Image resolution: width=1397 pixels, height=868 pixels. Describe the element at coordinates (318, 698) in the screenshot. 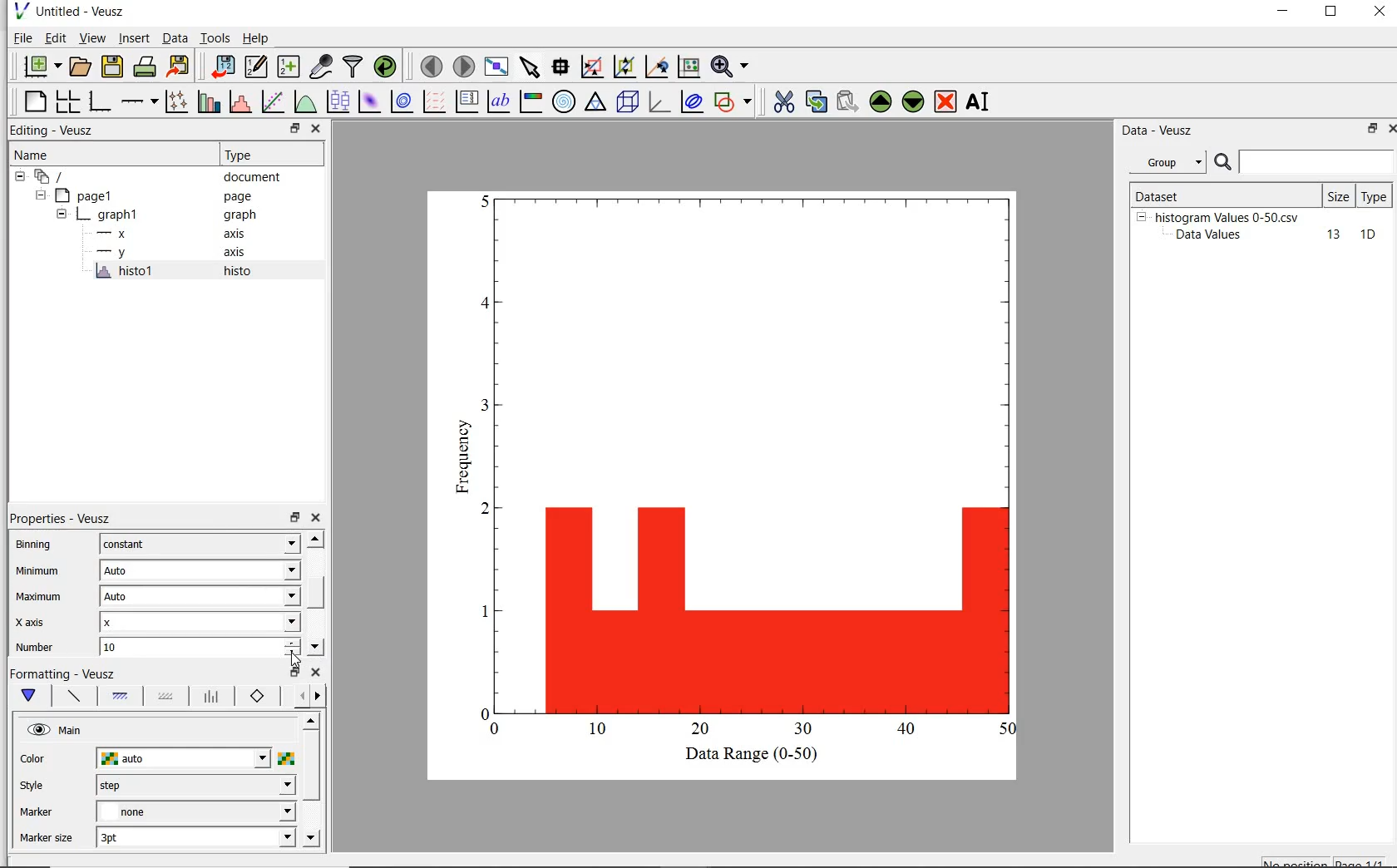

I see `next` at that location.